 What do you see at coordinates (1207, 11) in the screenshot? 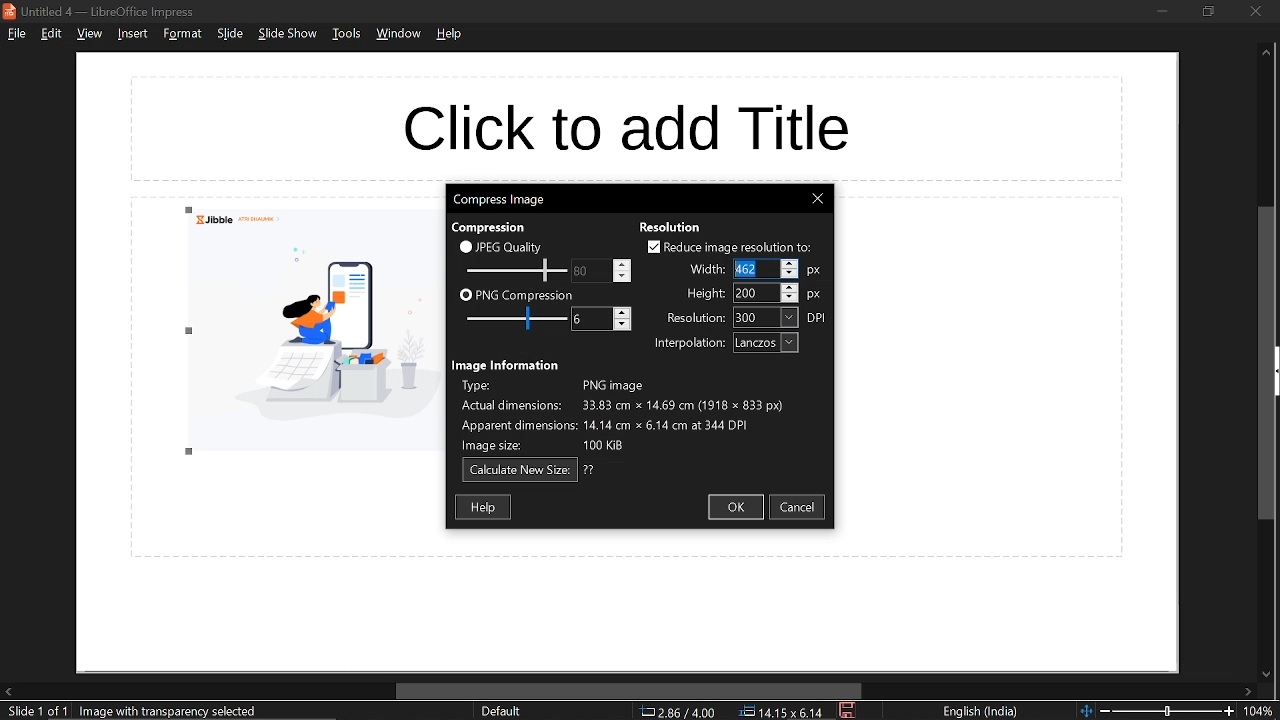
I see `restore down` at bounding box center [1207, 11].